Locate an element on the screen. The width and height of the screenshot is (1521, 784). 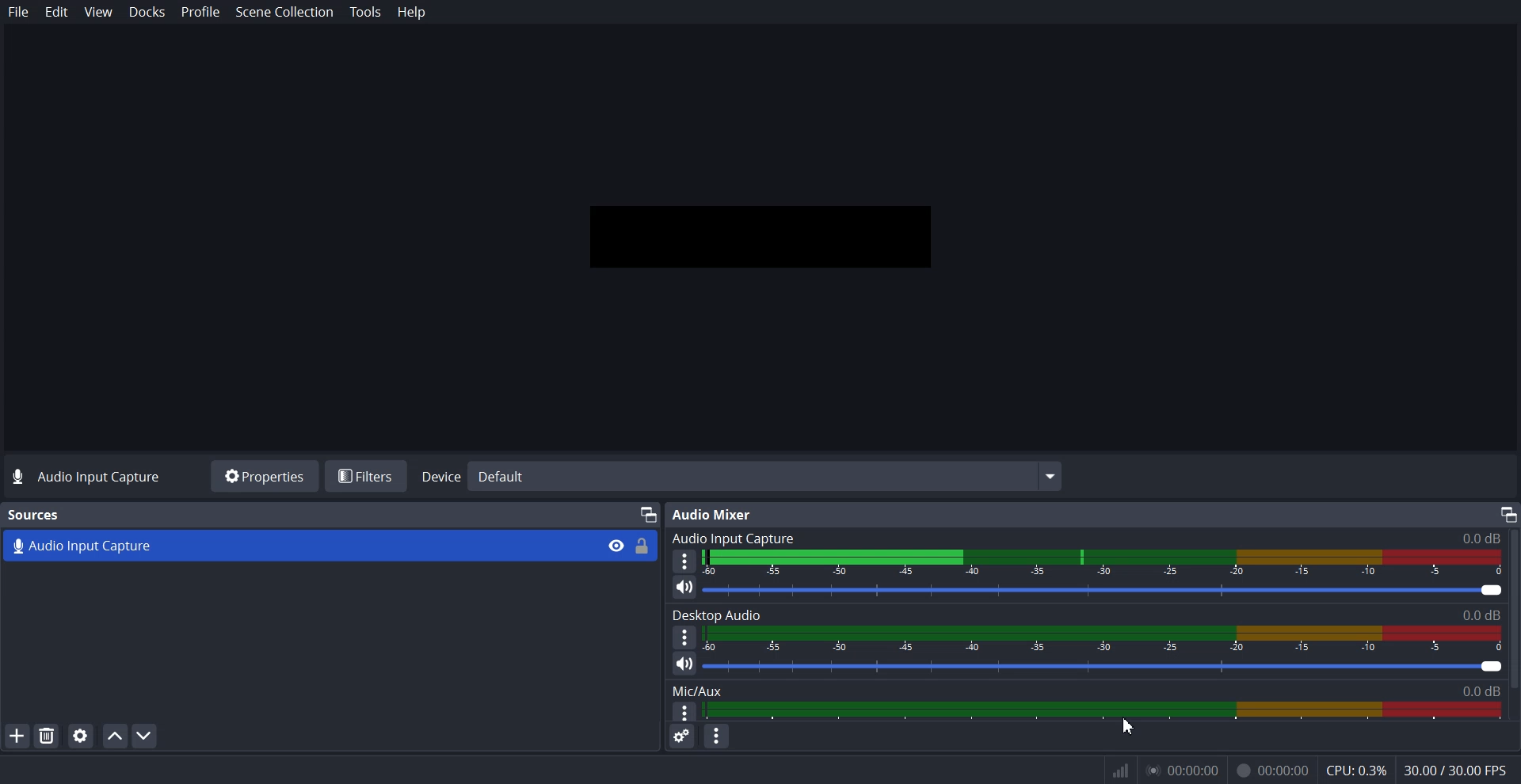
Audio Input capture is located at coordinates (1092, 535).